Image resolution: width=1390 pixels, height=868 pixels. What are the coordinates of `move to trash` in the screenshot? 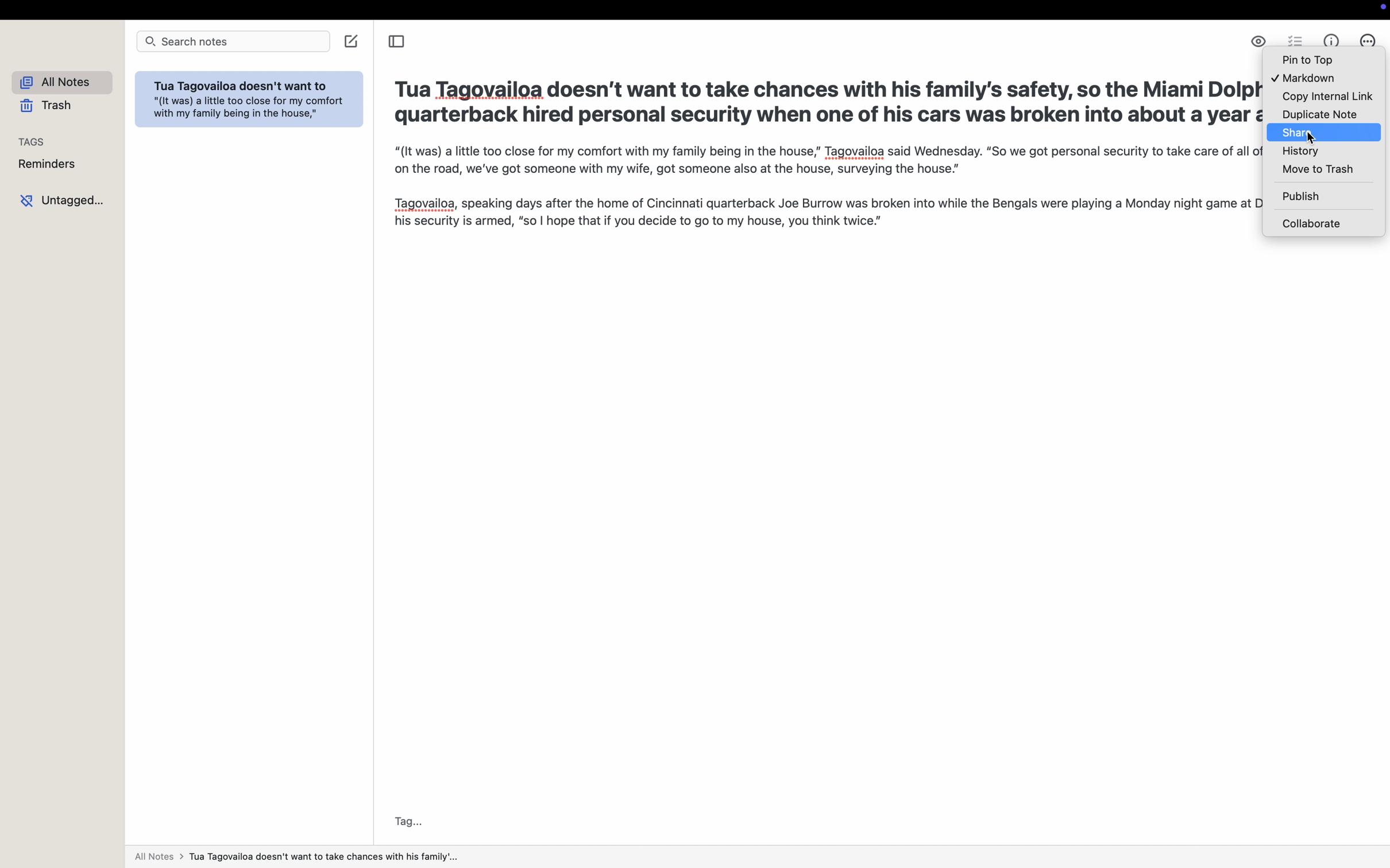 It's located at (1322, 169).